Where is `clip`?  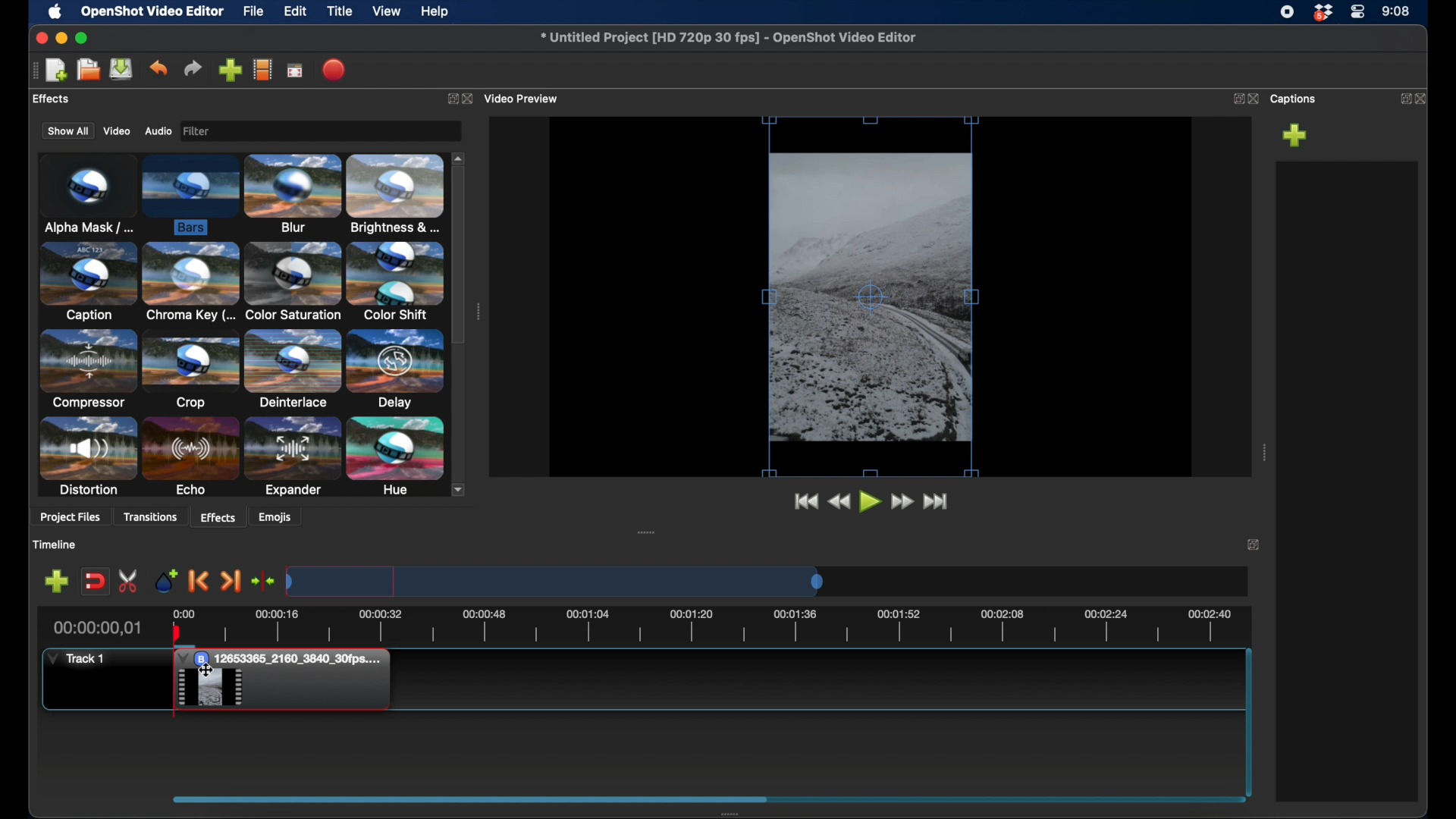
clip is located at coordinates (312, 682).